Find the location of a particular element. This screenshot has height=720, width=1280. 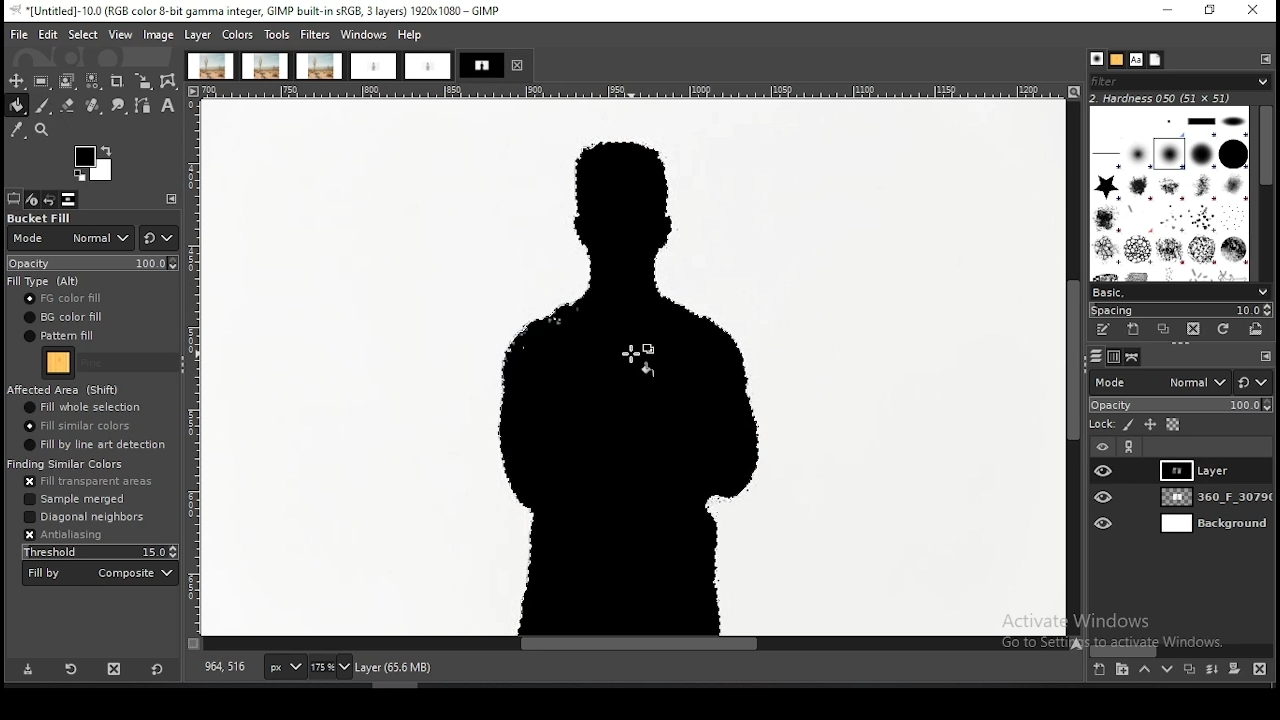

patterns is located at coordinates (1118, 60).